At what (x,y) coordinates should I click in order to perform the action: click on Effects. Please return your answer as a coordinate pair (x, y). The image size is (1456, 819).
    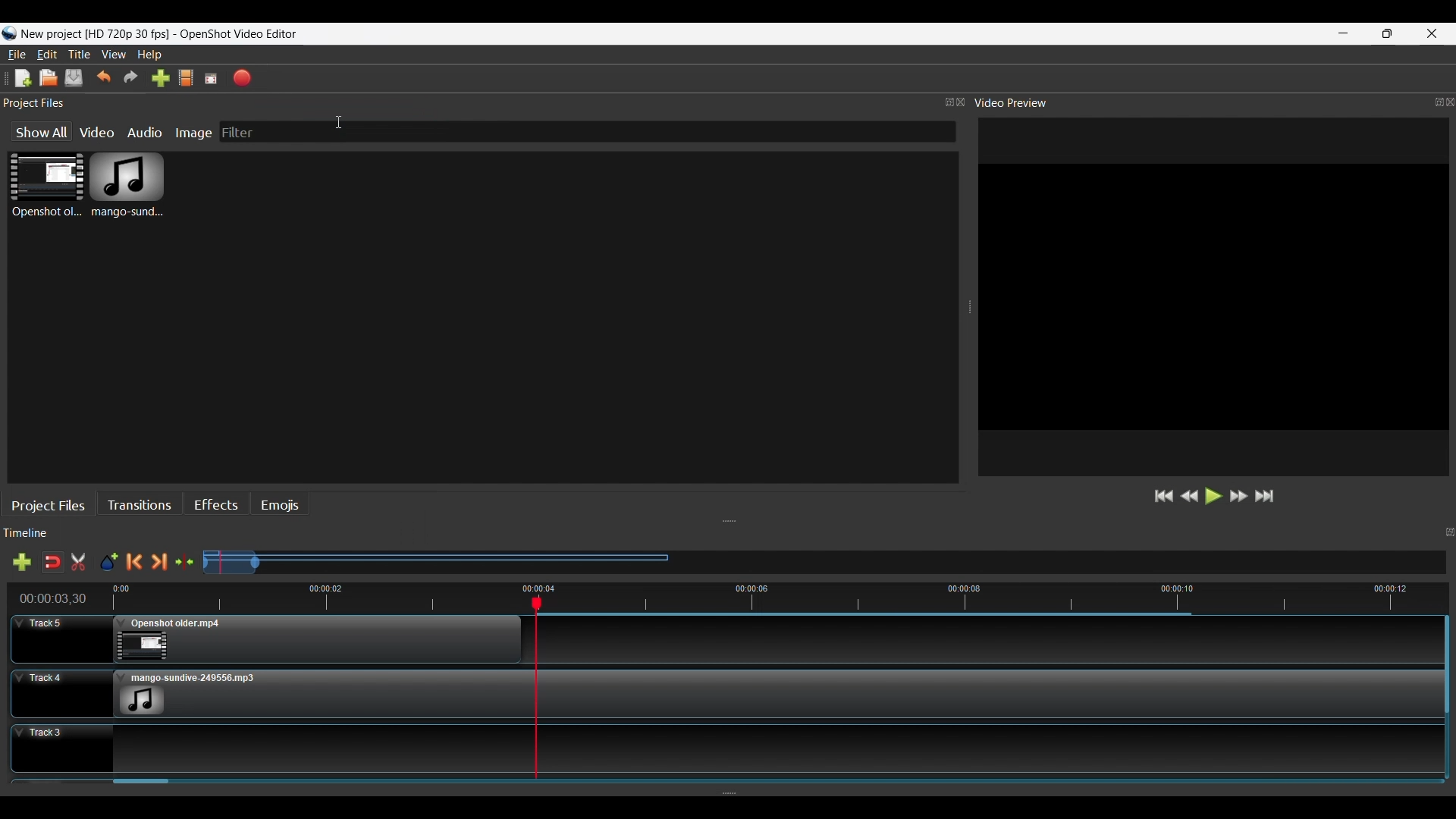
    Looking at the image, I should click on (216, 503).